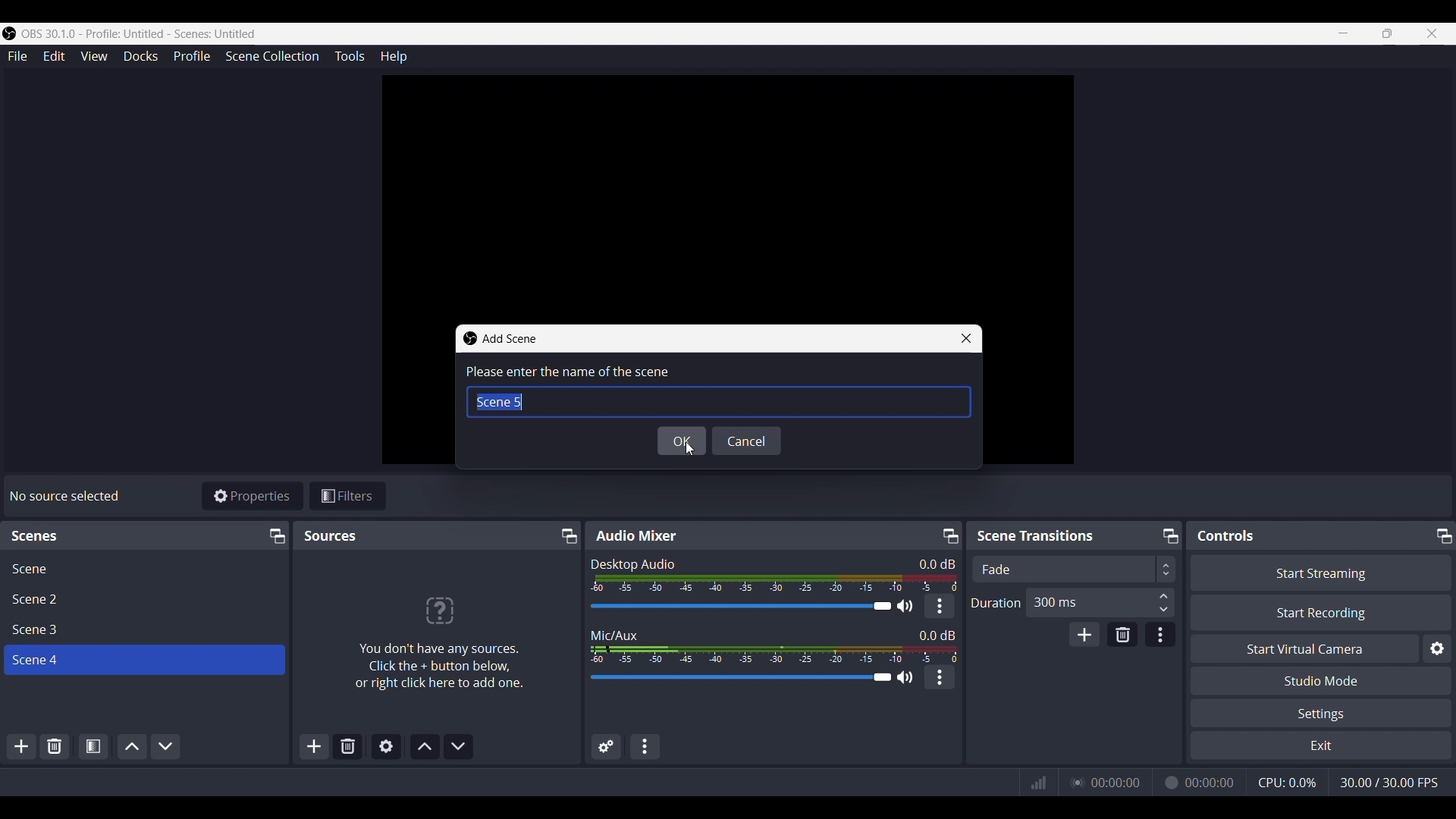 The height and width of the screenshot is (819, 1456). I want to click on 300 ms, so click(1102, 603).